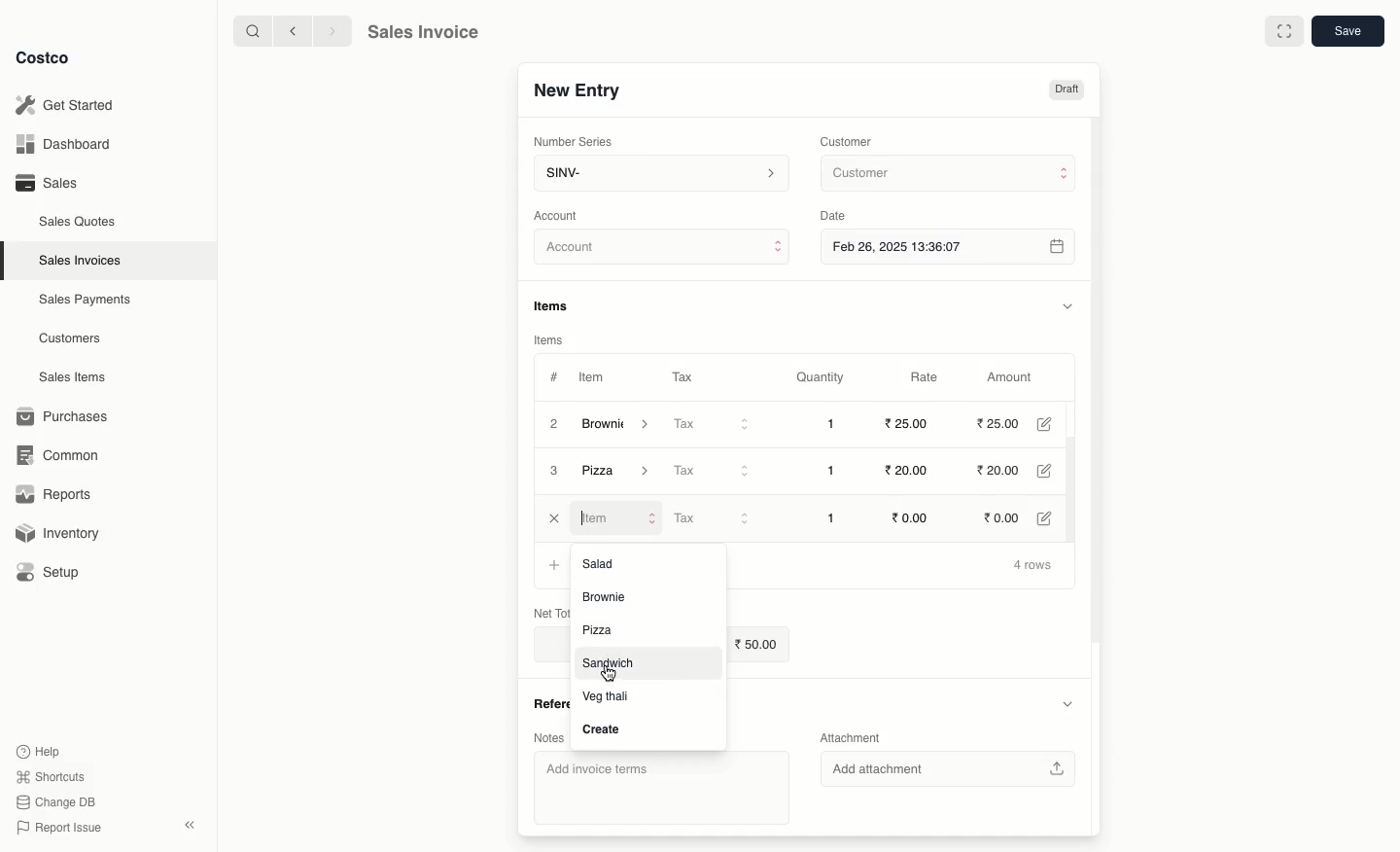 Image resolution: width=1400 pixels, height=852 pixels. Describe the element at coordinates (1067, 704) in the screenshot. I see `Hide` at that location.